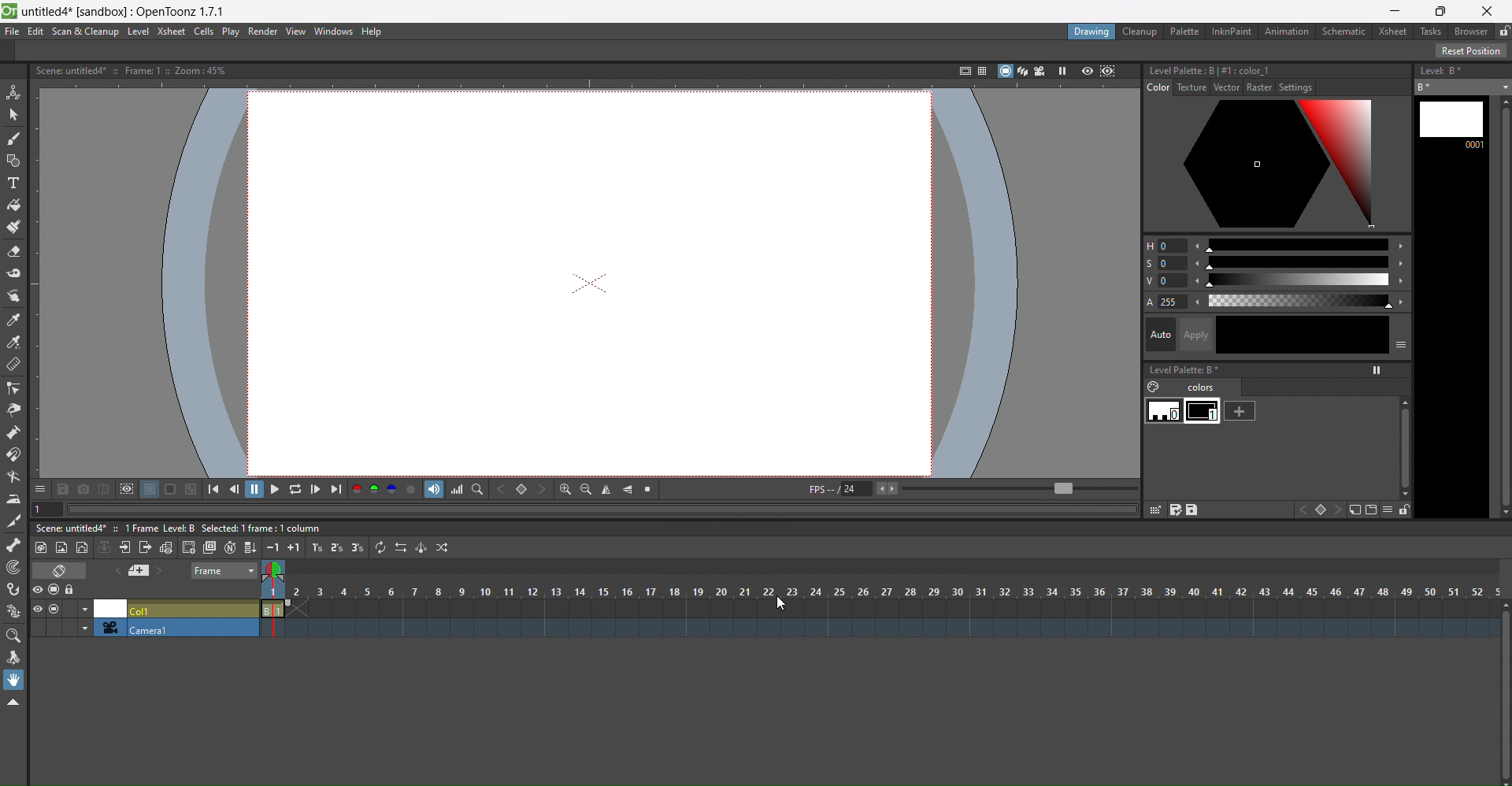  Describe the element at coordinates (434, 489) in the screenshot. I see `soundtrack` at that location.